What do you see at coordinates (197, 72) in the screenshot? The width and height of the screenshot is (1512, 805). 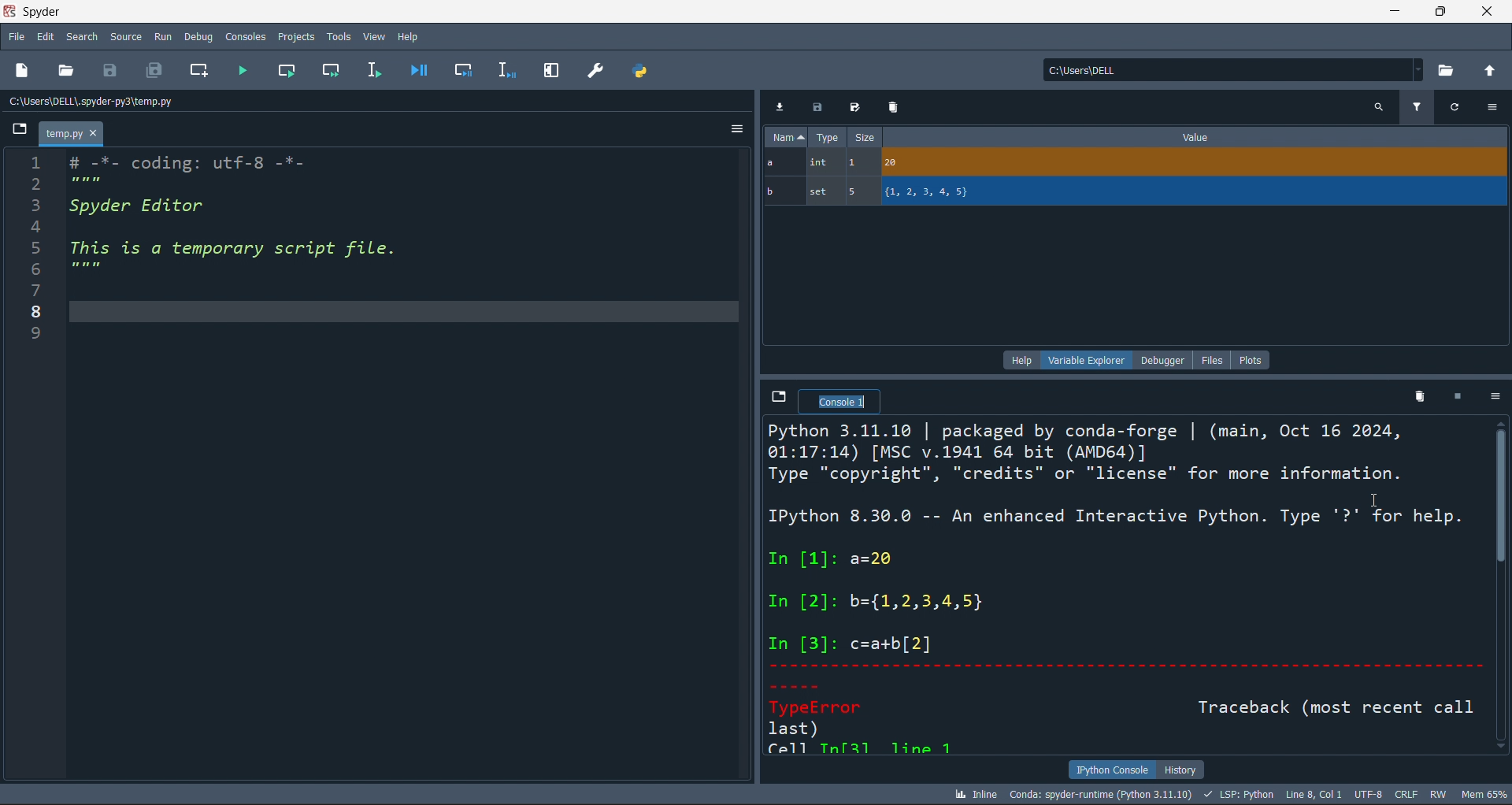 I see `create cell` at bounding box center [197, 72].